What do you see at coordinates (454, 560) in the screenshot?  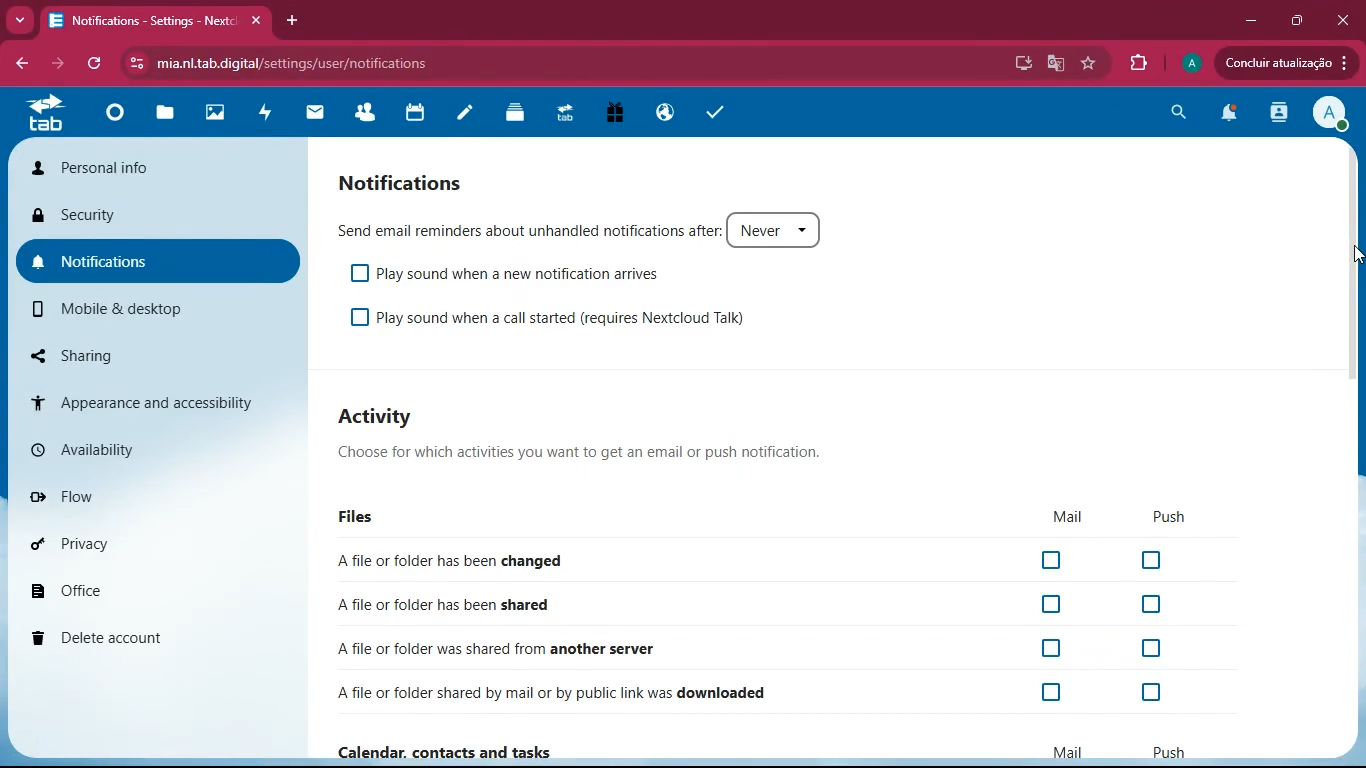 I see `file changed` at bounding box center [454, 560].